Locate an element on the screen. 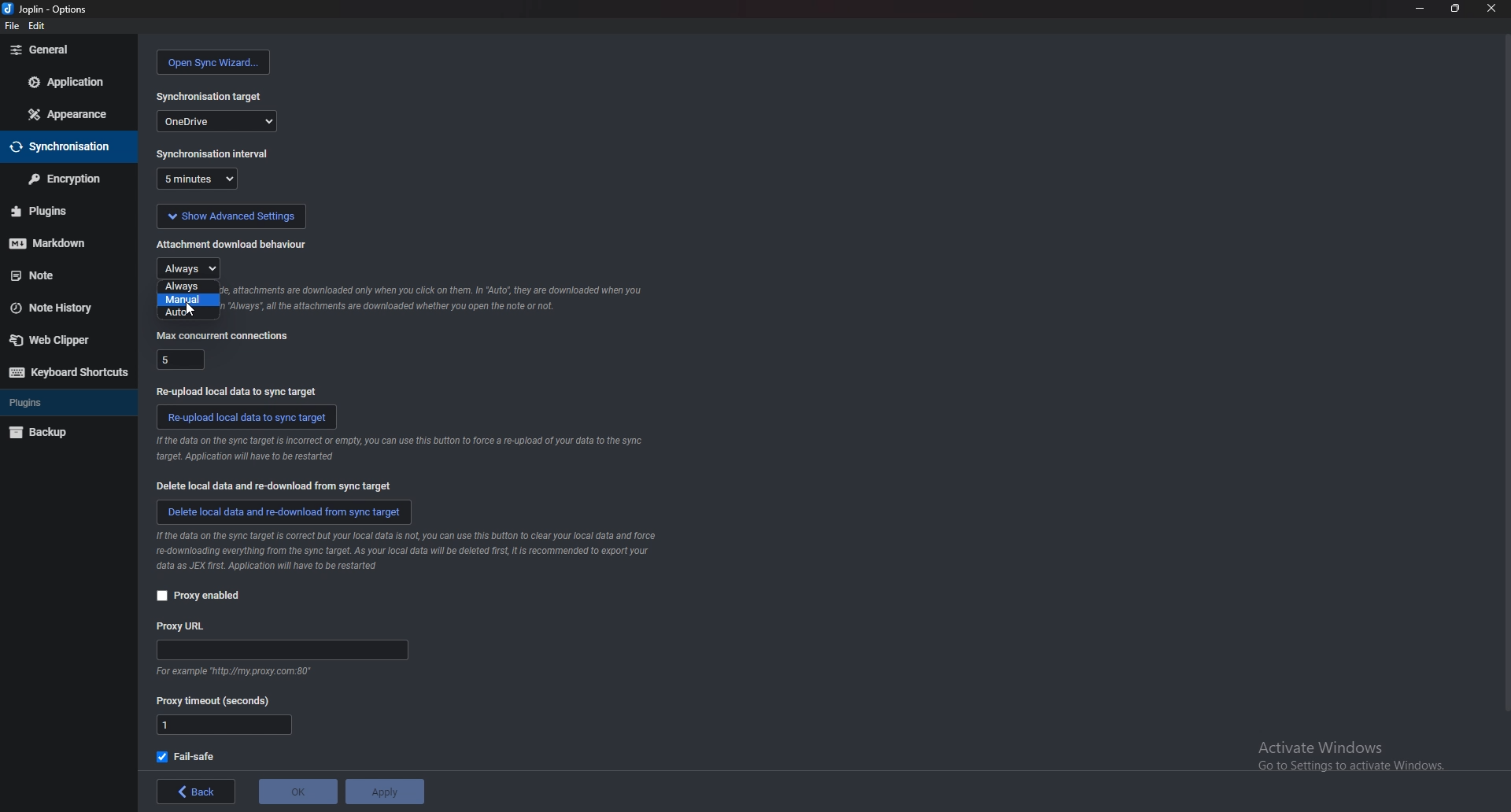 This screenshot has width=1511, height=812. appearance is located at coordinates (66, 115).